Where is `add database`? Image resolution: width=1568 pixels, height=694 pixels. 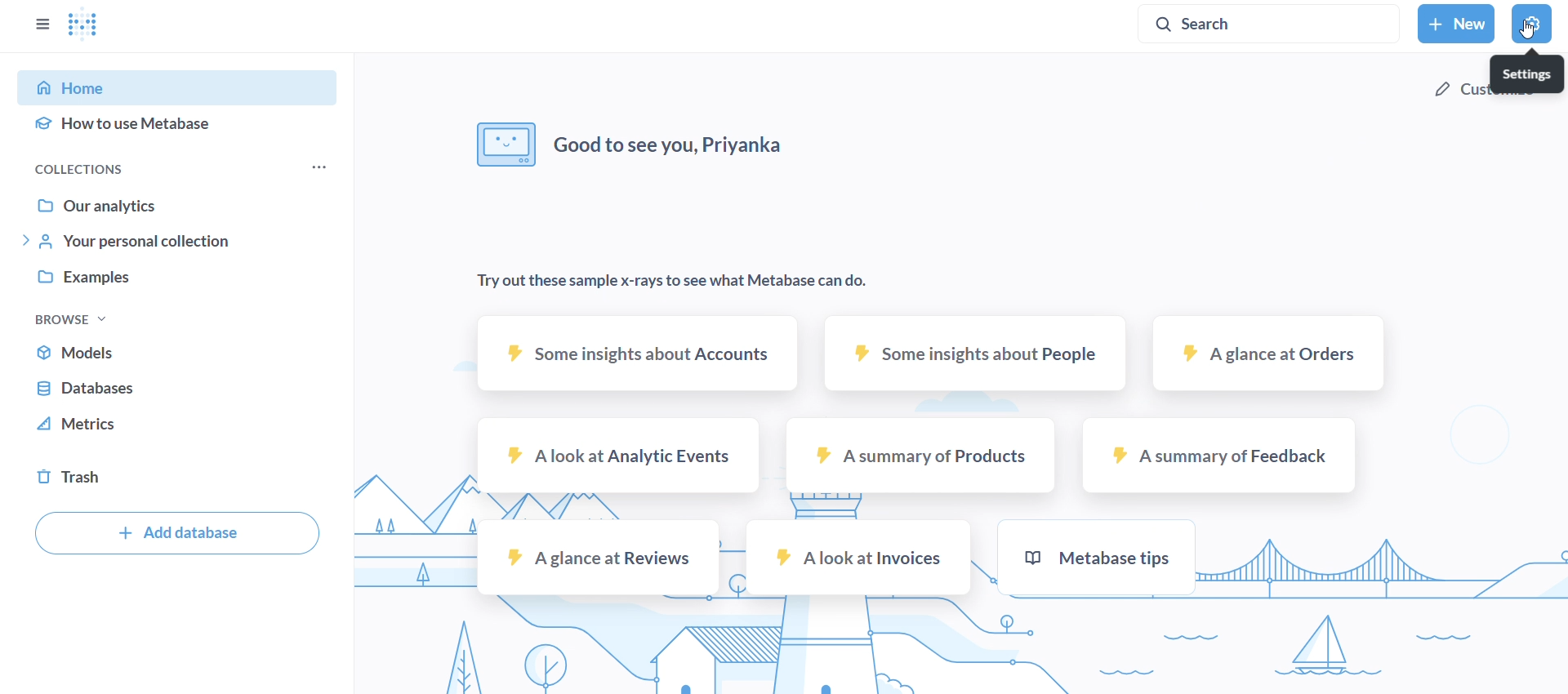
add database is located at coordinates (175, 533).